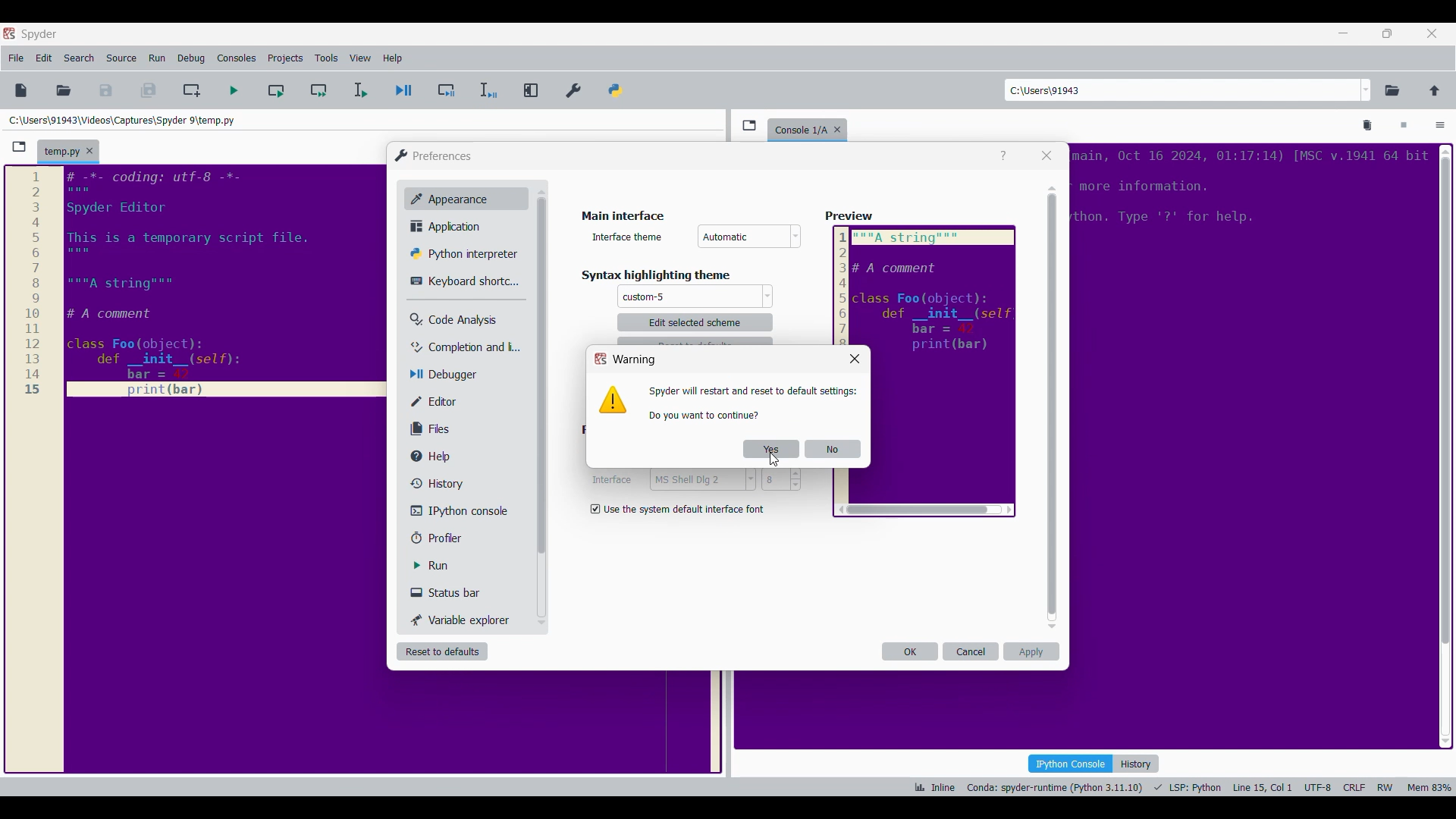 The height and width of the screenshot is (819, 1456). I want to click on Editor, so click(467, 401).